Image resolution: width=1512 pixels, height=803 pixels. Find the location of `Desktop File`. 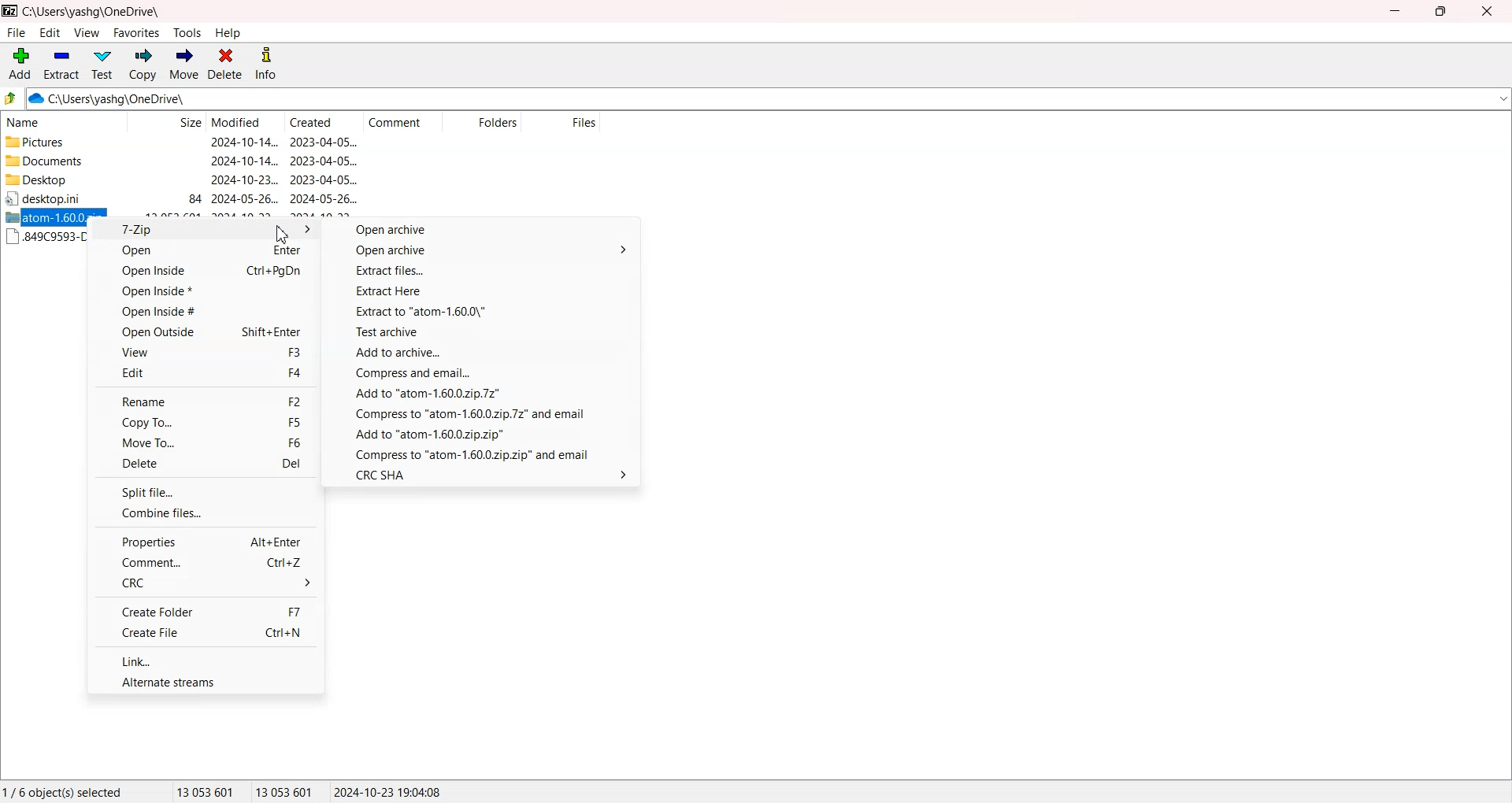

Desktop File is located at coordinates (58, 198).